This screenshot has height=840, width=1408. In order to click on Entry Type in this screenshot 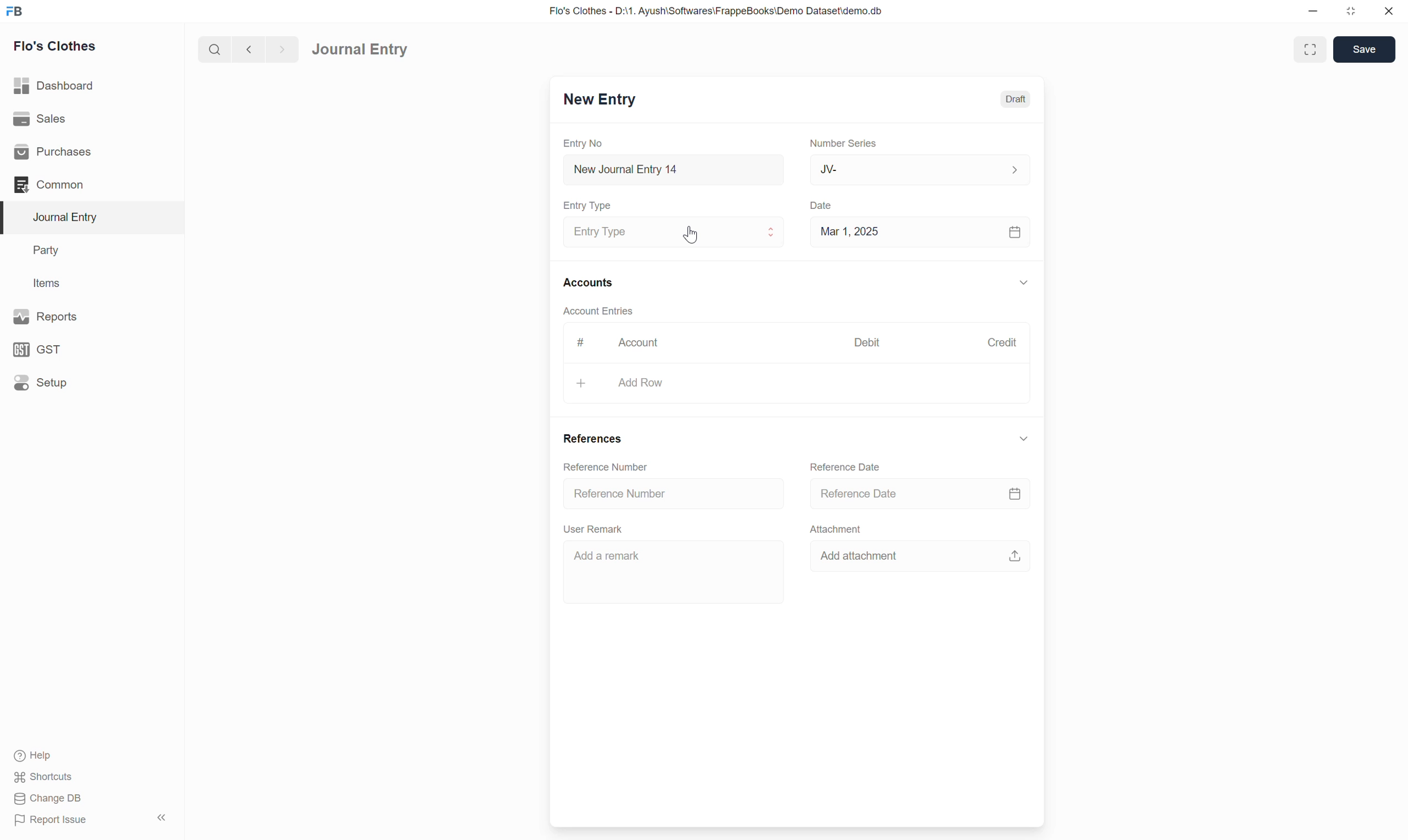, I will do `click(591, 205)`.